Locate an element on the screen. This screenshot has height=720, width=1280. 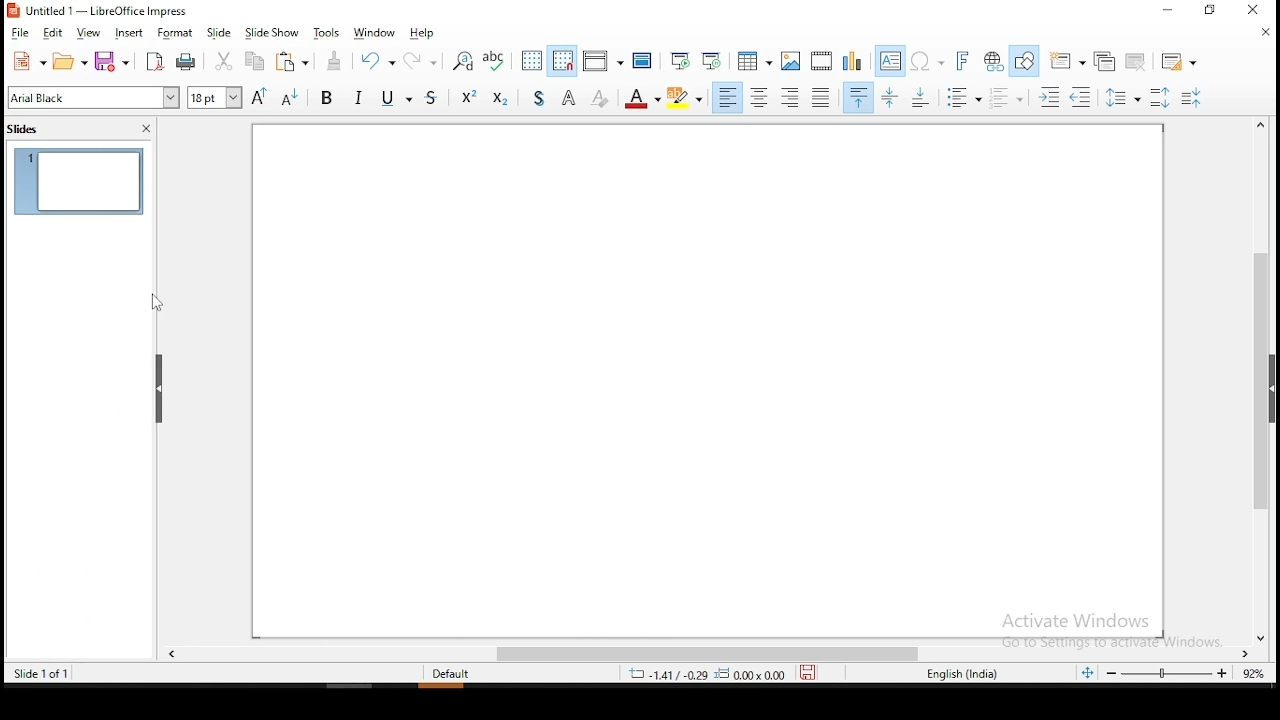
export as pdf is located at coordinates (155, 61).